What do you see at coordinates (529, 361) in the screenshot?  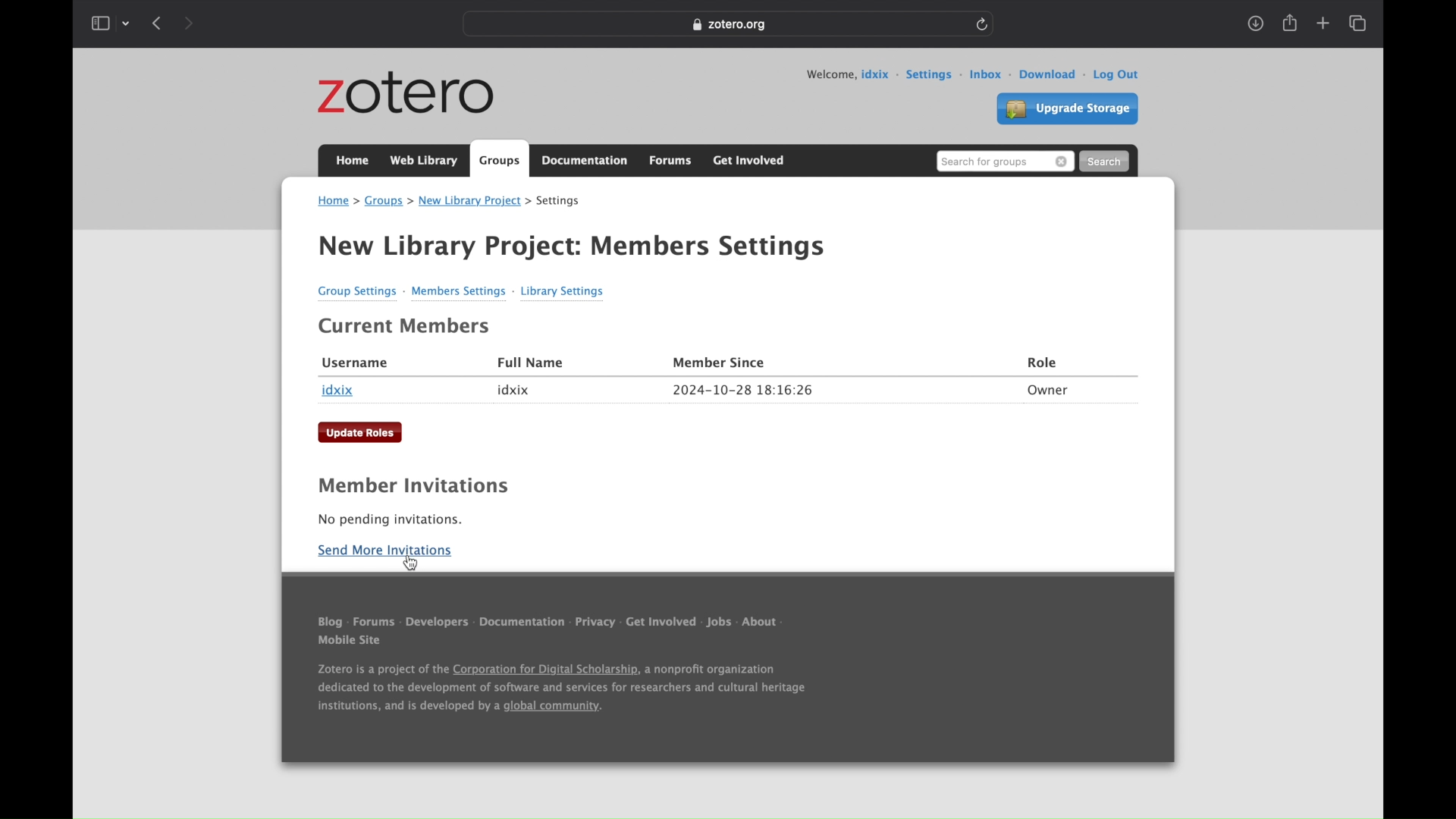 I see `full name` at bounding box center [529, 361].